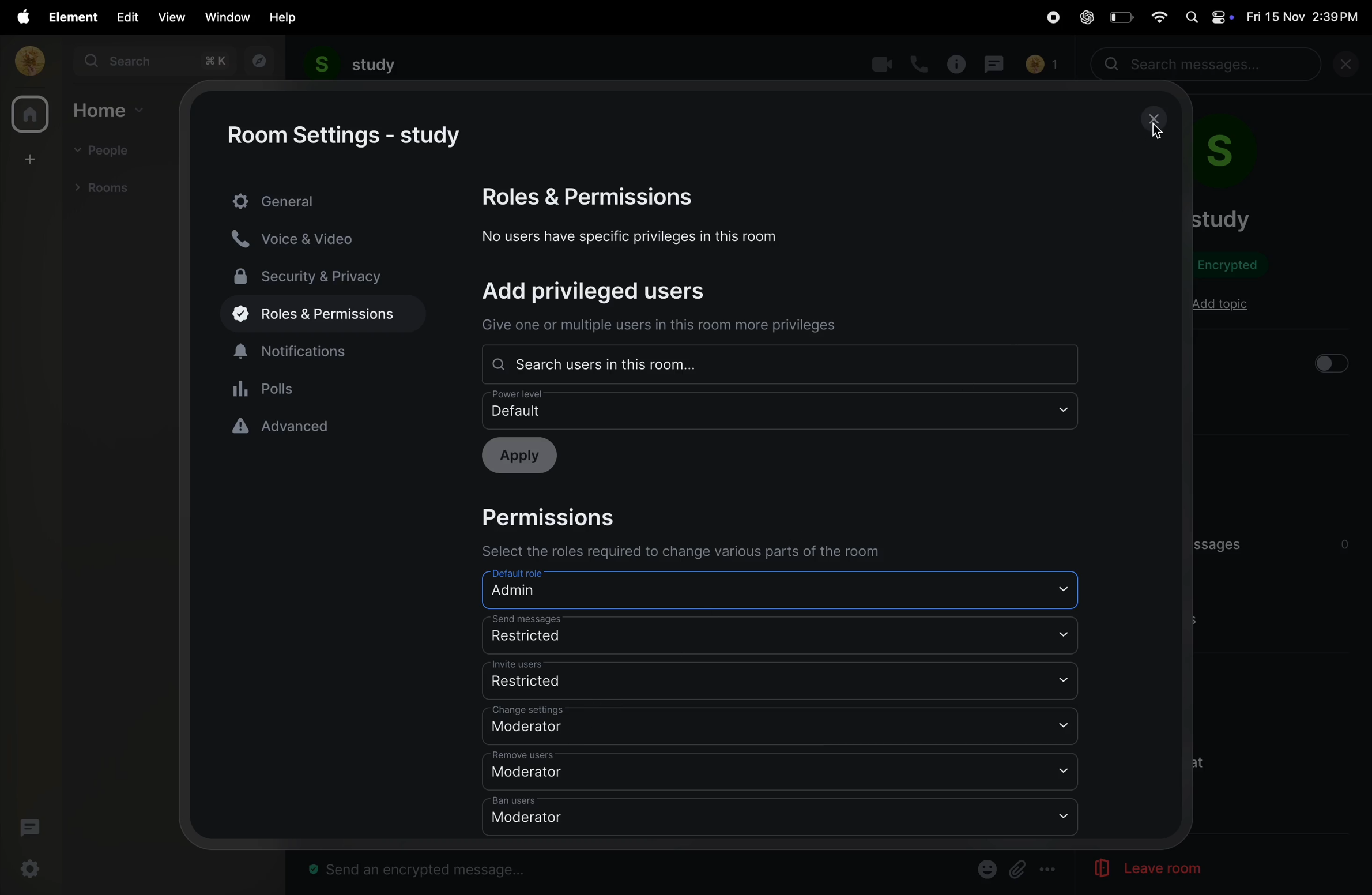 The height and width of the screenshot is (895, 1372). I want to click on settings, so click(32, 869).